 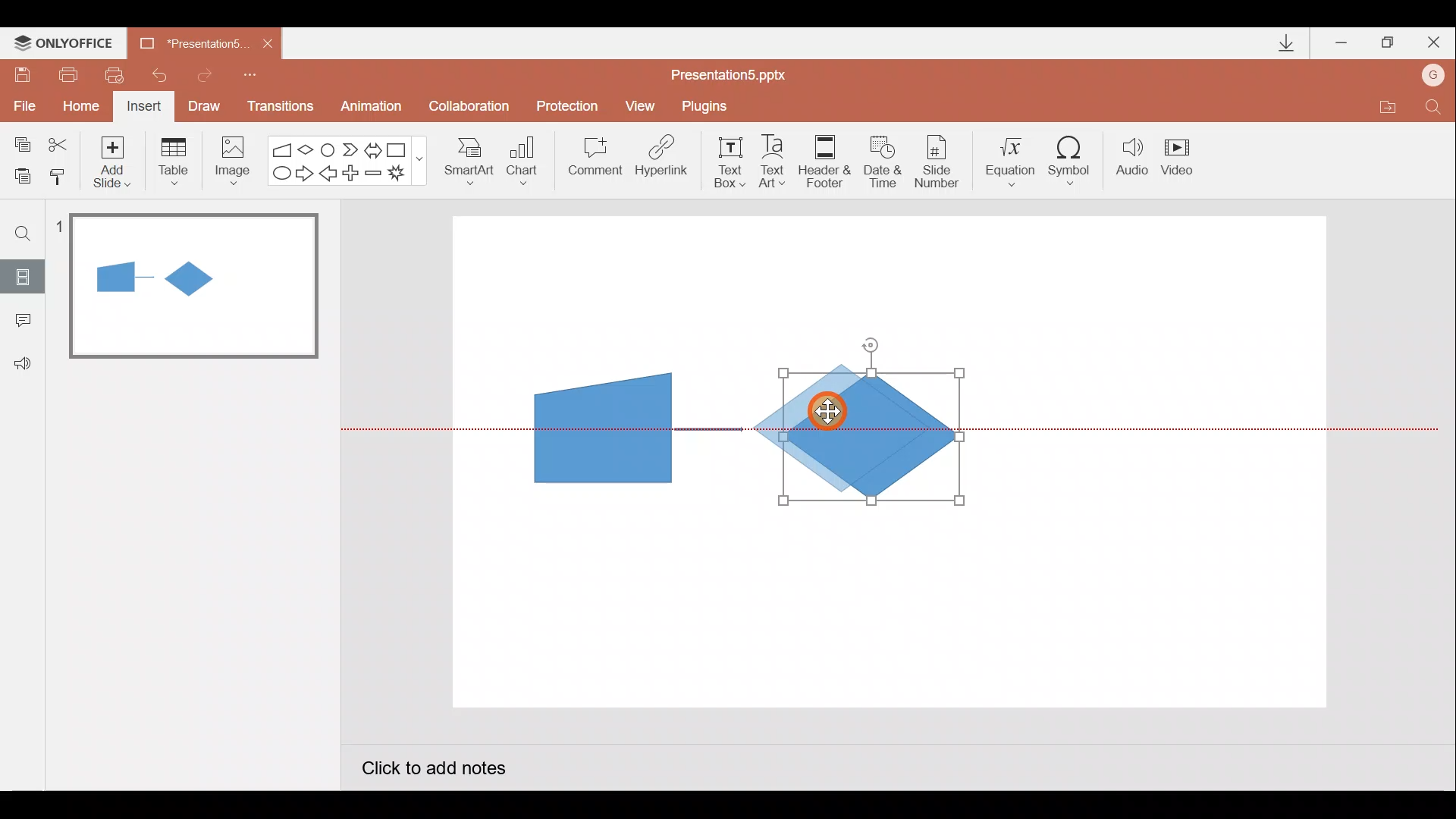 I want to click on Quick print, so click(x=120, y=71).